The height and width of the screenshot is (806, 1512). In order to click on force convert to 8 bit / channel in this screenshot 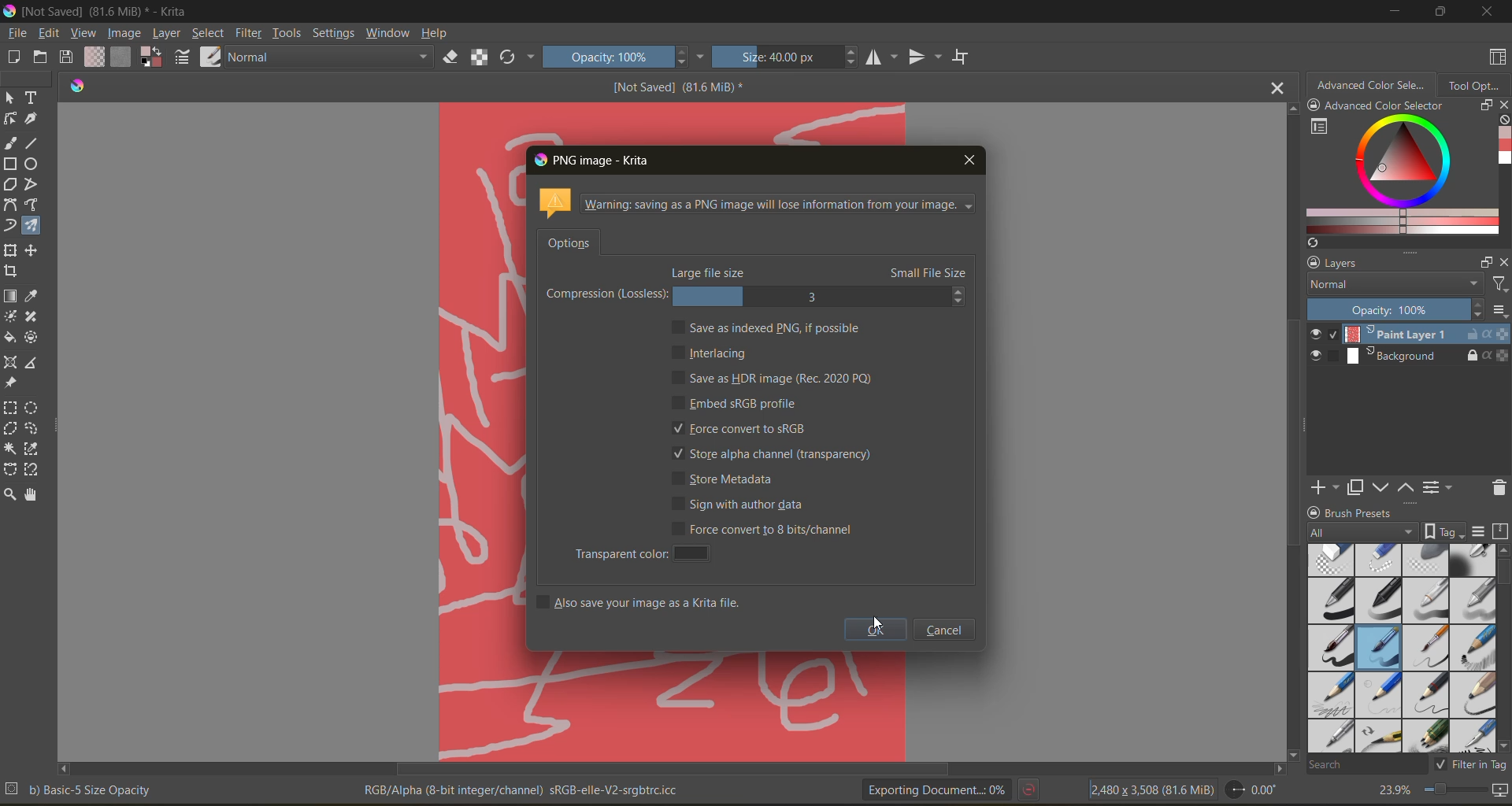, I will do `click(770, 528)`.